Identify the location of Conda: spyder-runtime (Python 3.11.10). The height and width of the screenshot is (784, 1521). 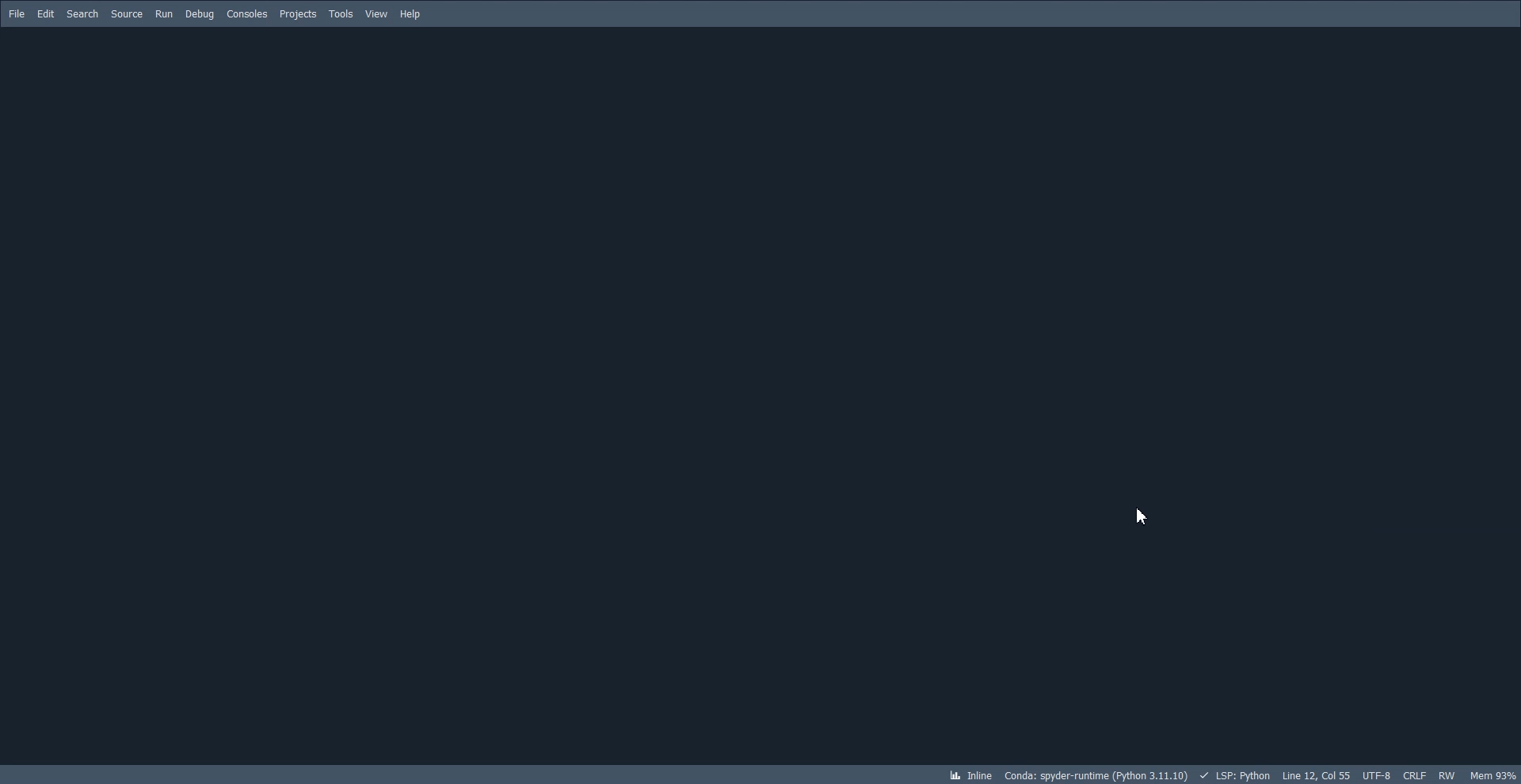
(1106, 774).